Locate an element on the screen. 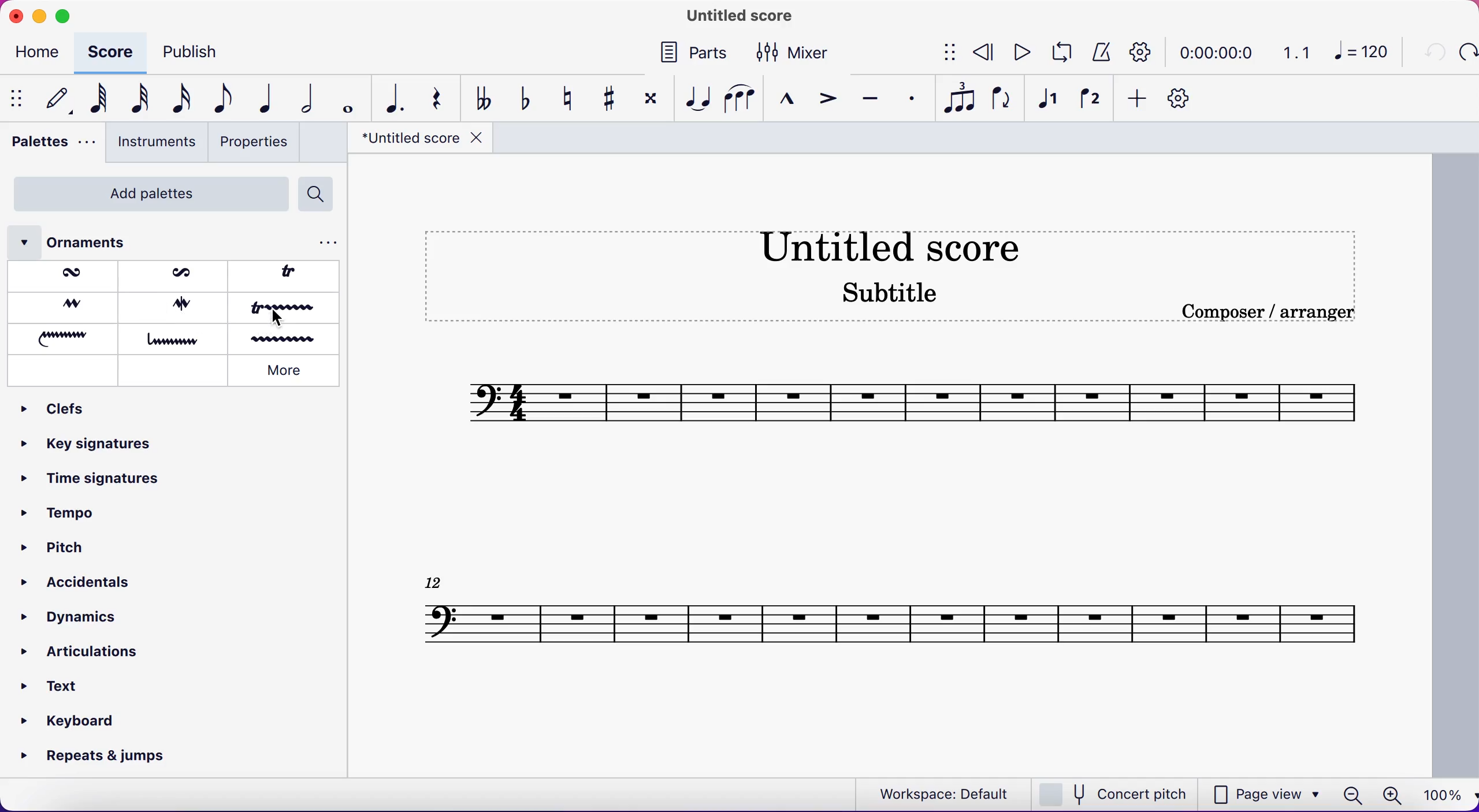  maximize is located at coordinates (64, 16).